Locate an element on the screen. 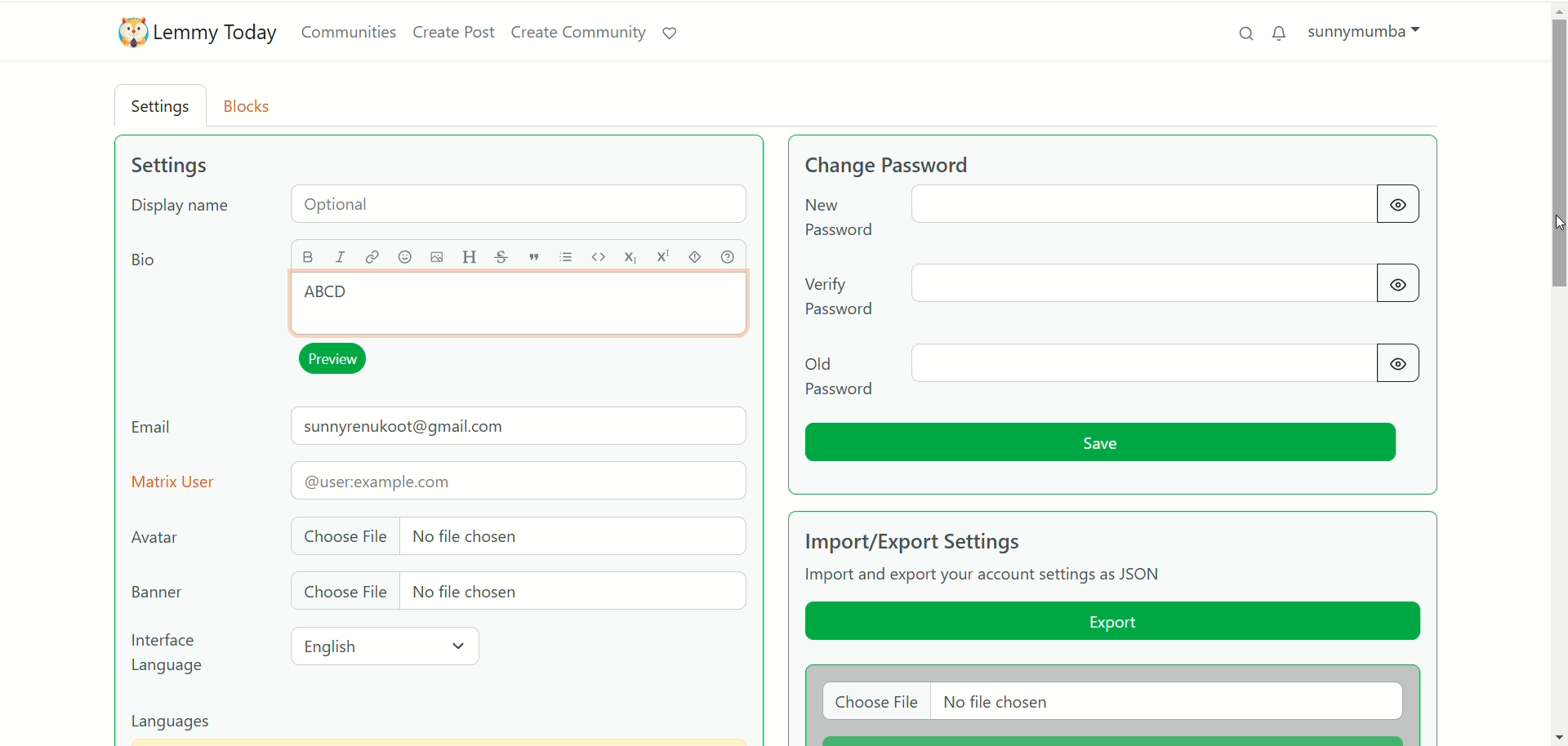  superscript is located at coordinates (663, 259).